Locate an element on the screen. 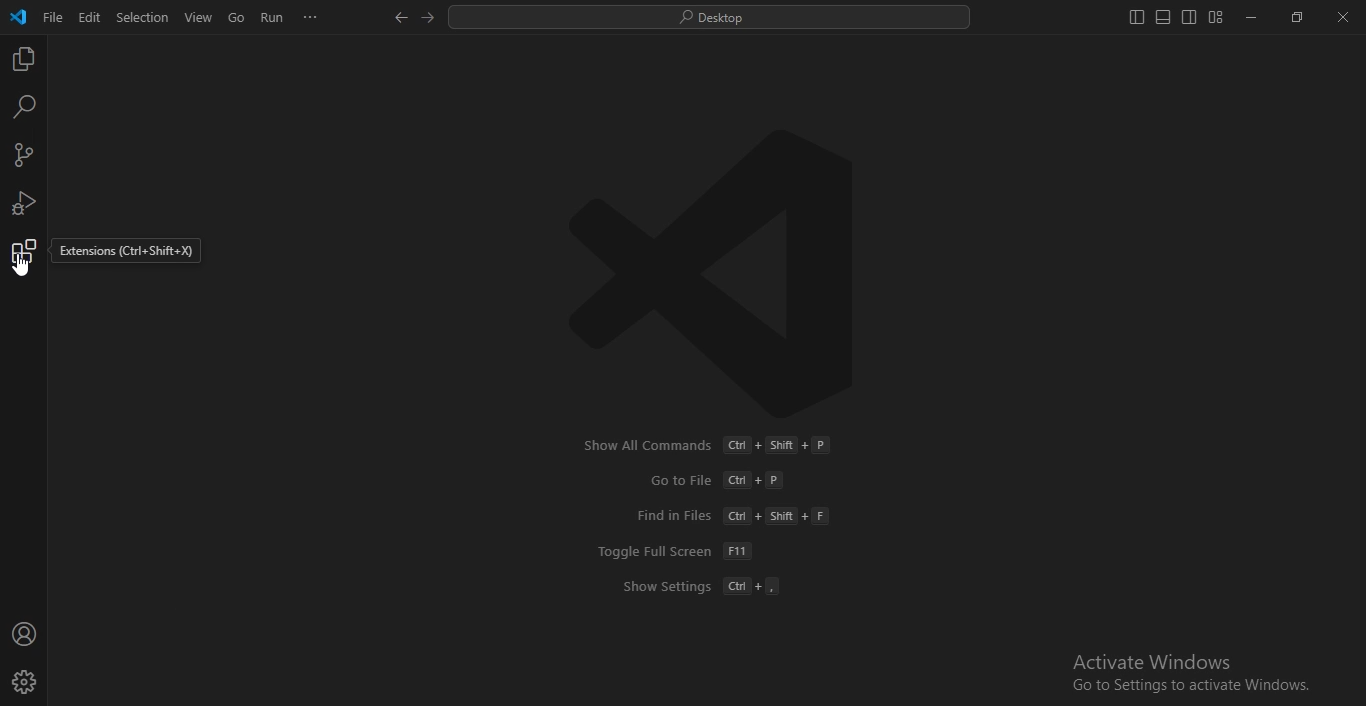 The image size is (1366, 706). cursor is located at coordinates (20, 275).